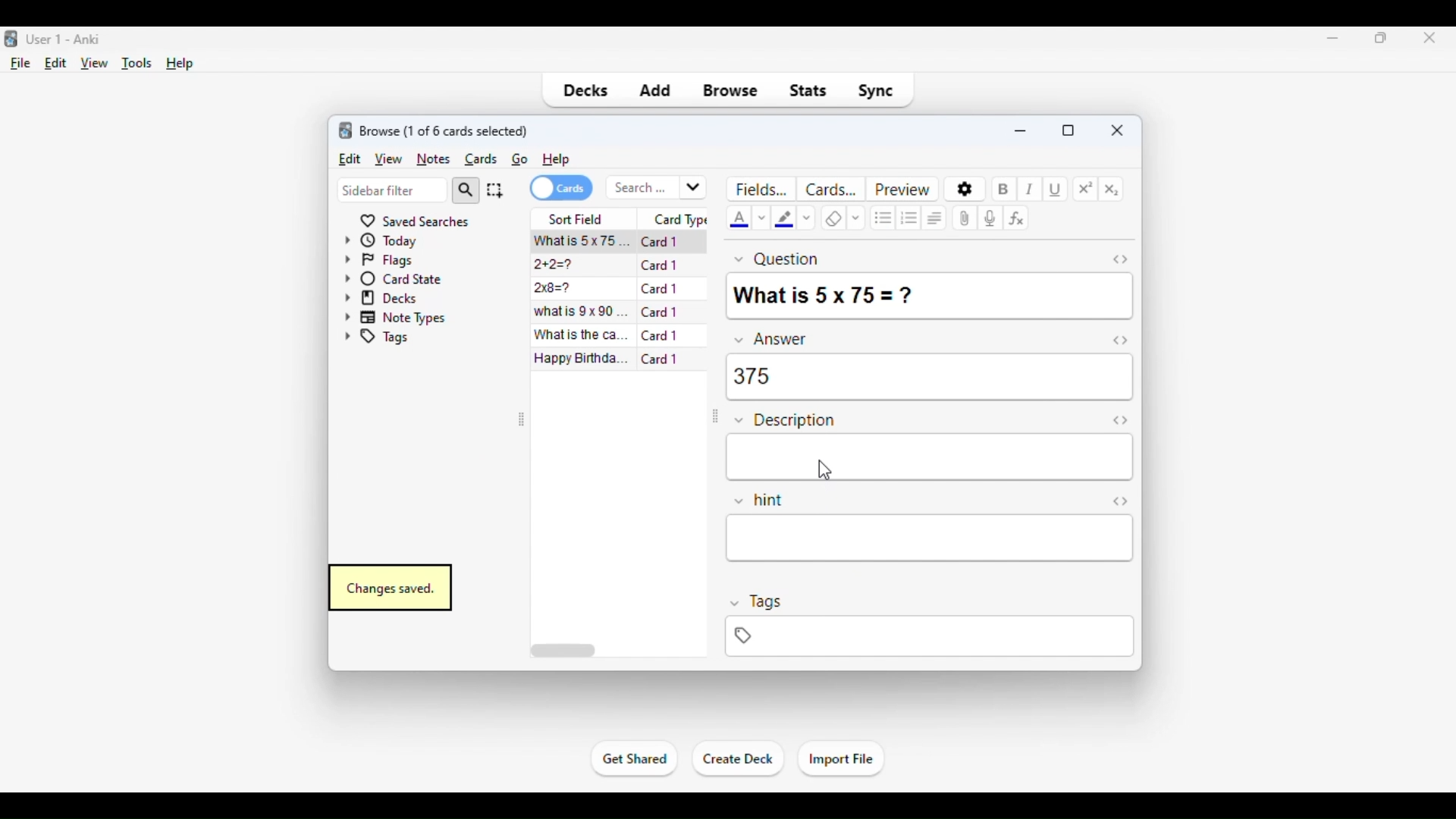  I want to click on Toggle HTML editor, so click(1120, 501).